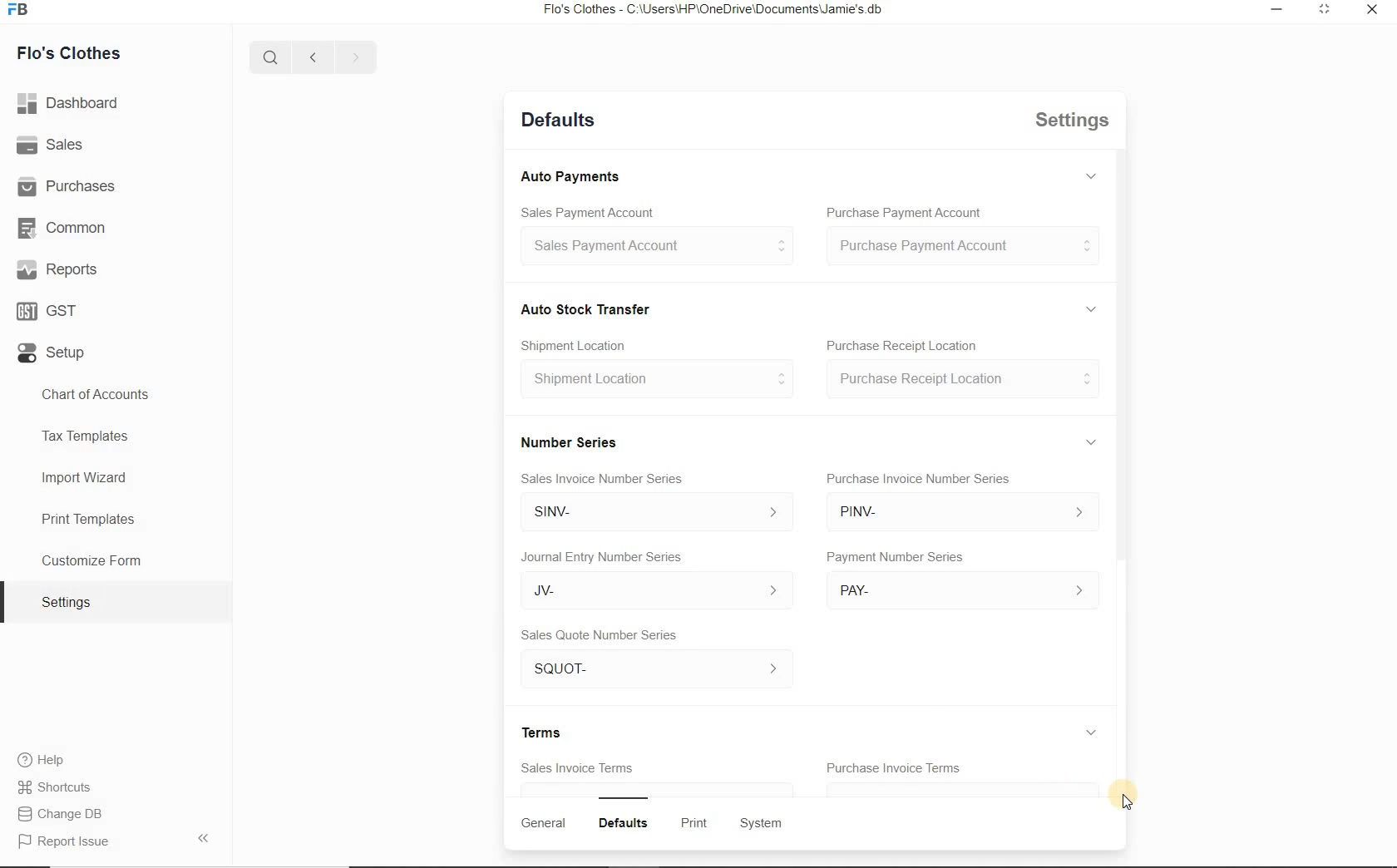 The height and width of the screenshot is (868, 1397). What do you see at coordinates (592, 309) in the screenshot?
I see `Auto Stock Transfer` at bounding box center [592, 309].